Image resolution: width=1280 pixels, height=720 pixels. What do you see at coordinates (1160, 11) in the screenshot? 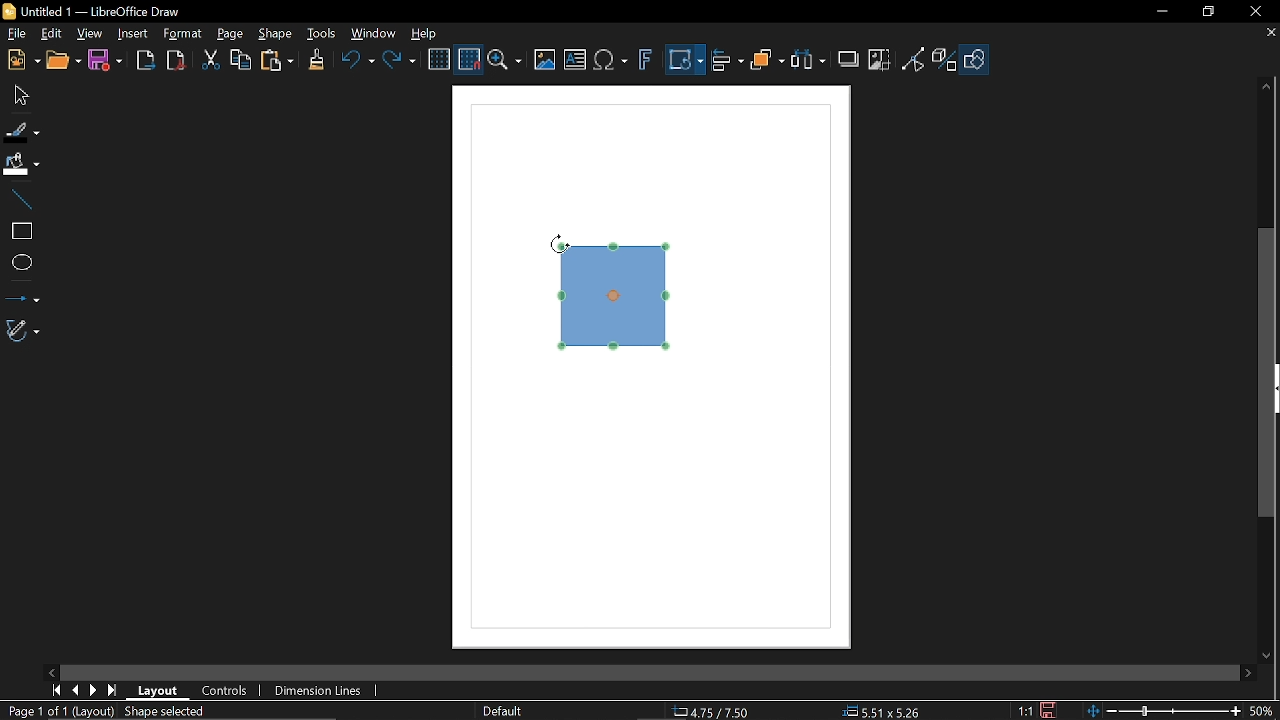
I see `Minimize` at bounding box center [1160, 11].